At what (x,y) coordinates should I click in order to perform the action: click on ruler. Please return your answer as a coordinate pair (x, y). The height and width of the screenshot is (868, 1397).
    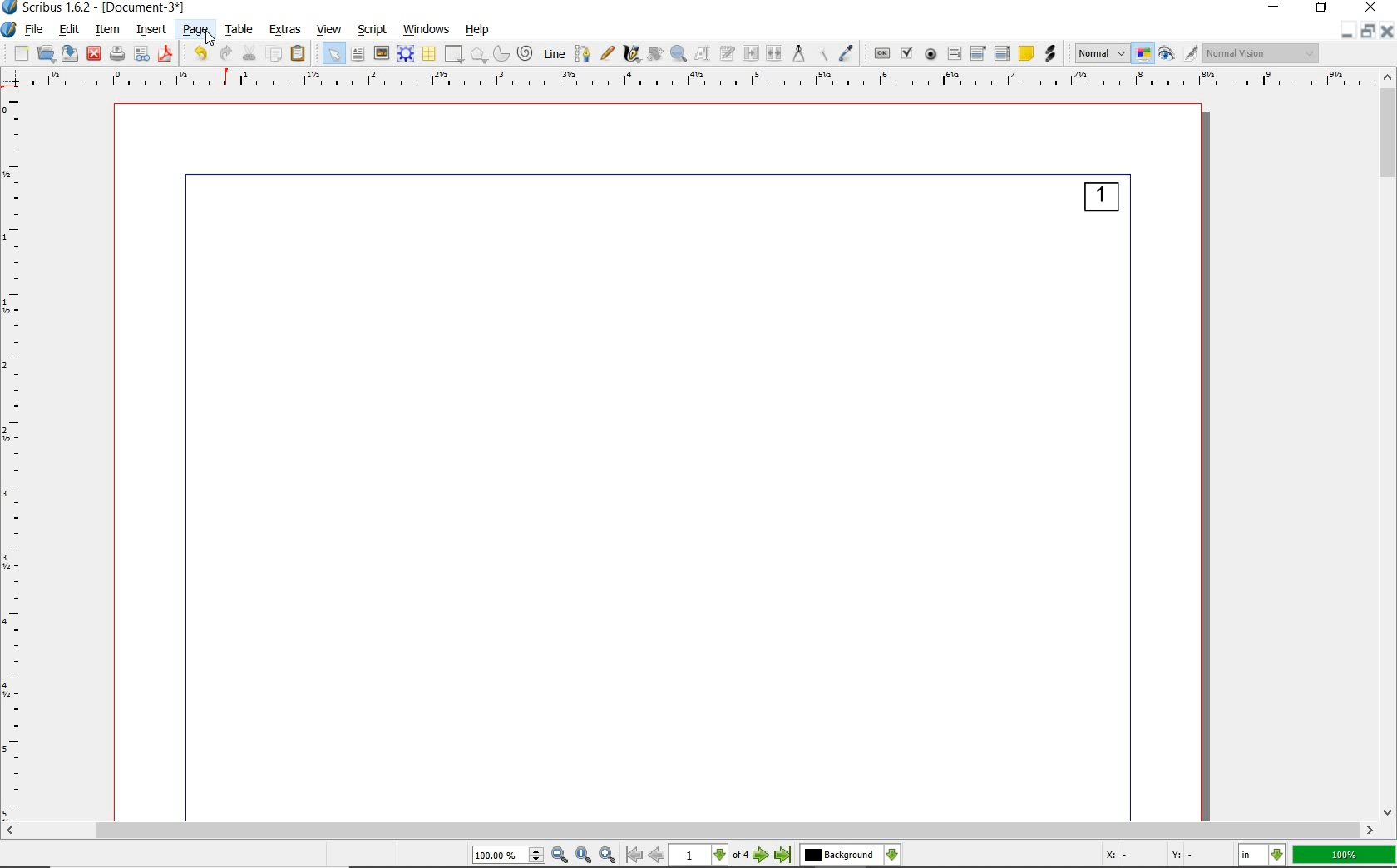
    Looking at the image, I should click on (20, 457).